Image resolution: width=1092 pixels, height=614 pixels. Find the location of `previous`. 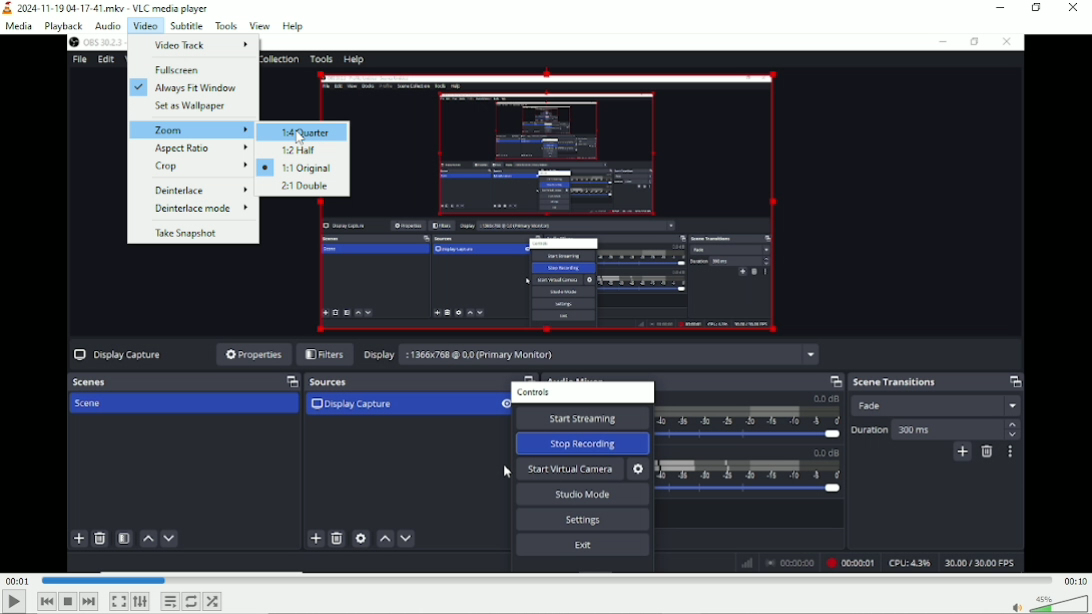

previous is located at coordinates (46, 602).